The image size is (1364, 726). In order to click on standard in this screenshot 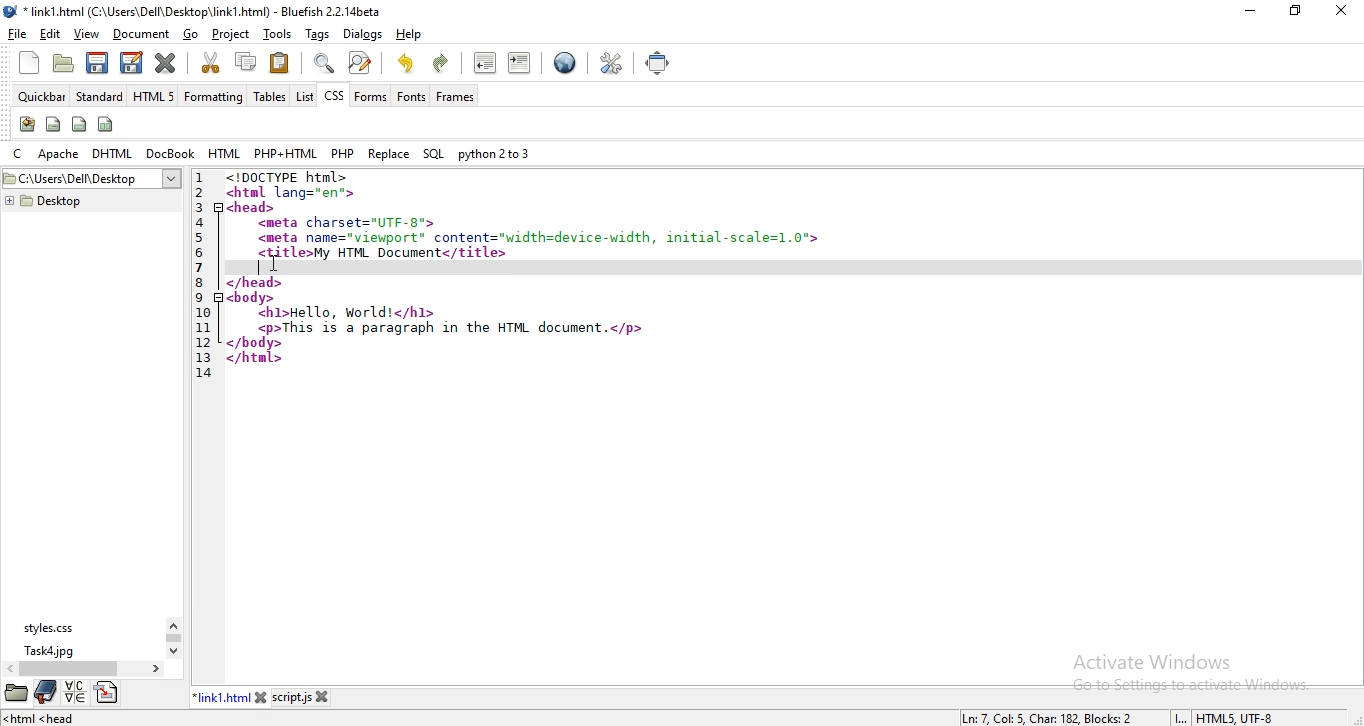, I will do `click(99, 95)`.